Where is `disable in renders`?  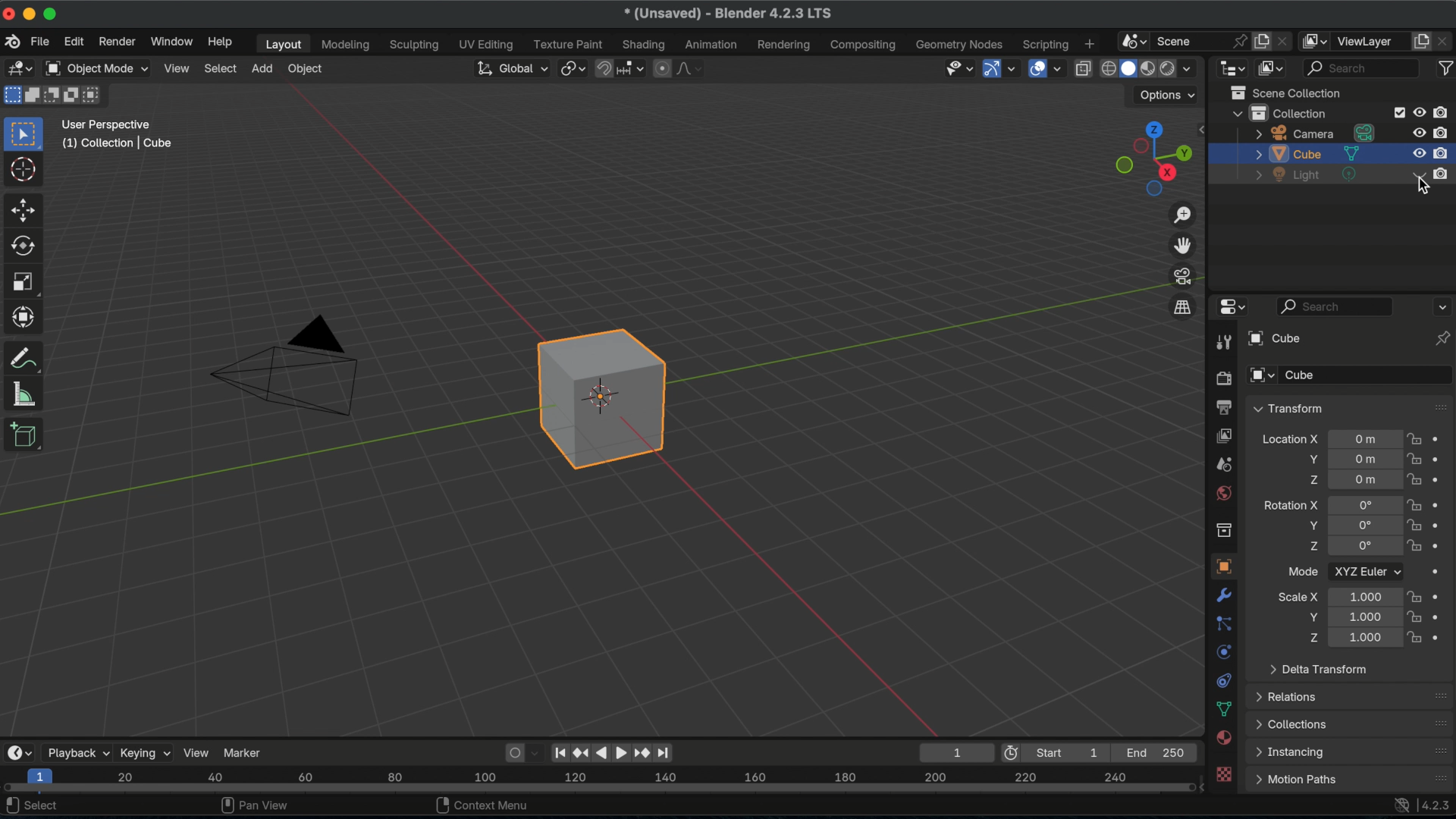 disable in renders is located at coordinates (1445, 111).